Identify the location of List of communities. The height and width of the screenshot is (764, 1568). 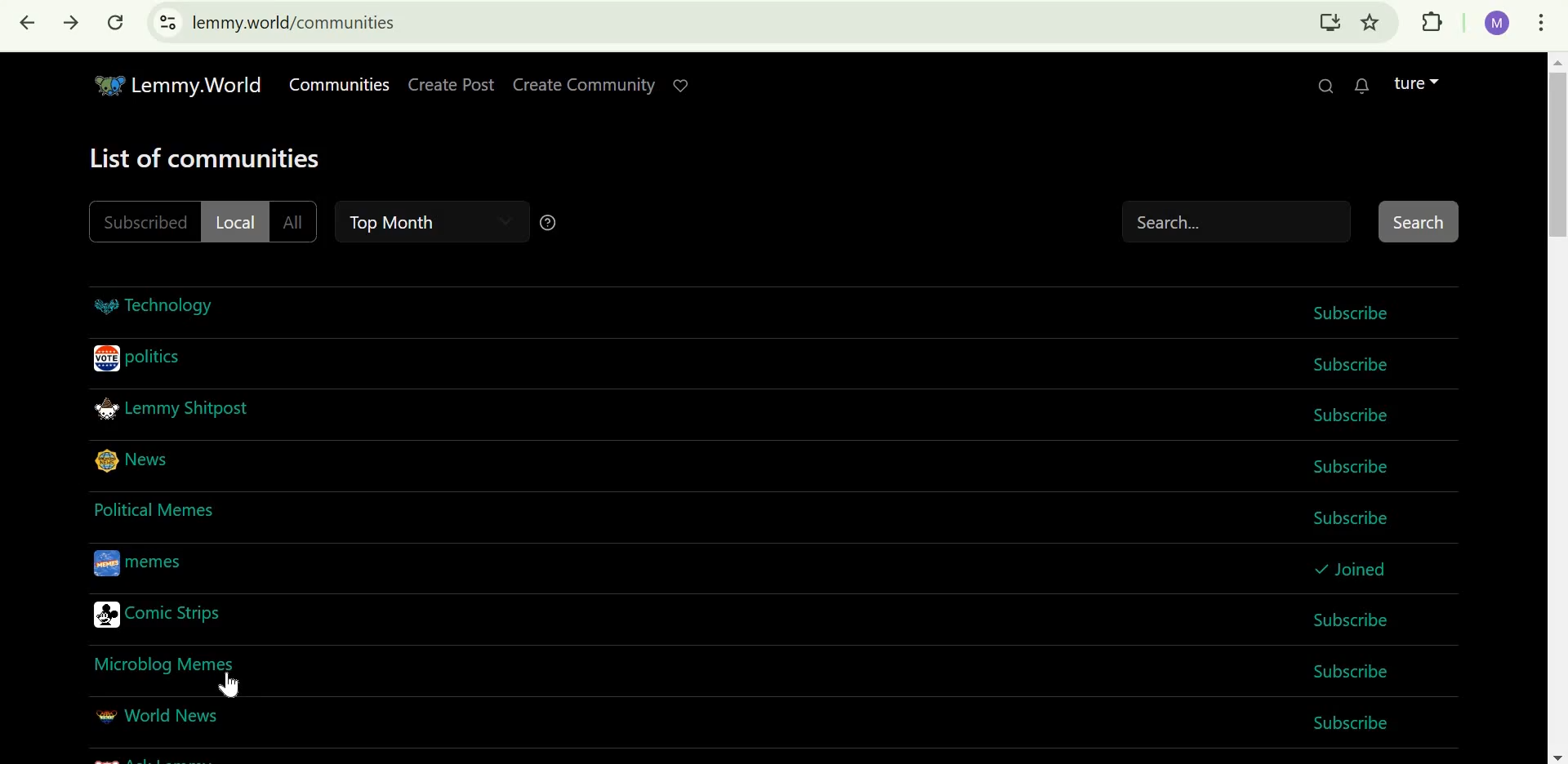
(205, 158).